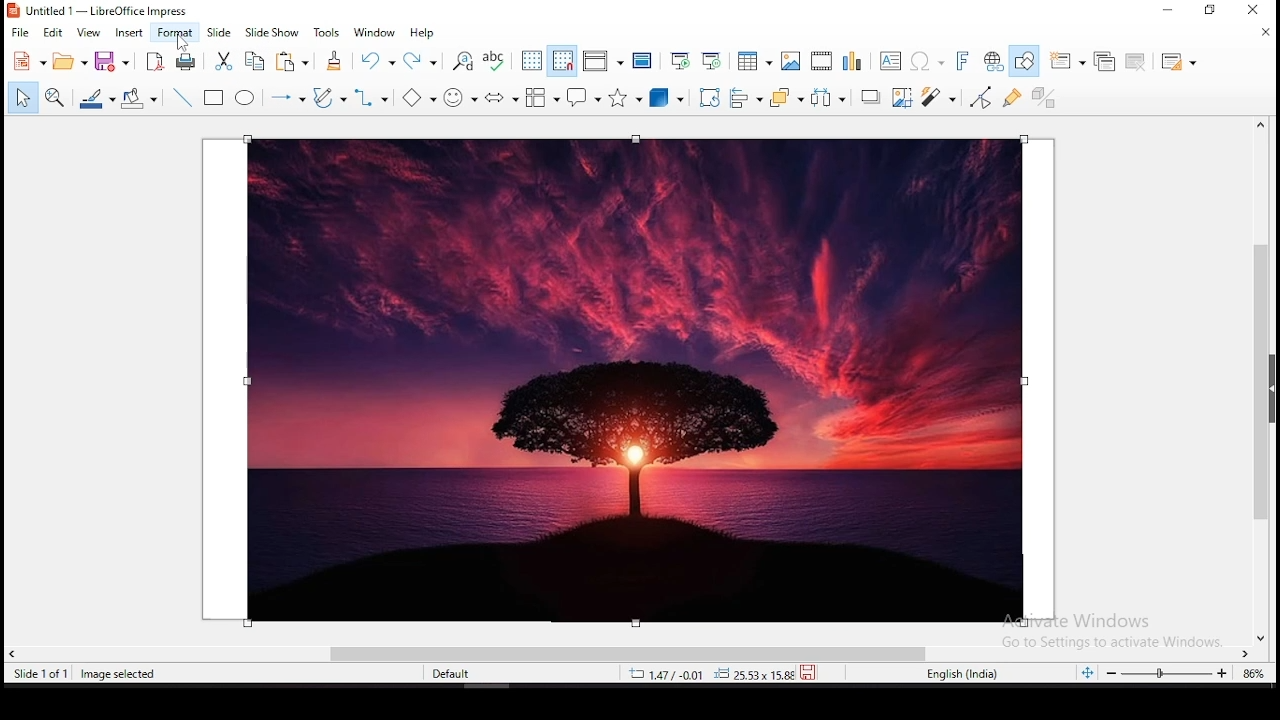  Describe the element at coordinates (811, 671) in the screenshot. I see `save` at that location.